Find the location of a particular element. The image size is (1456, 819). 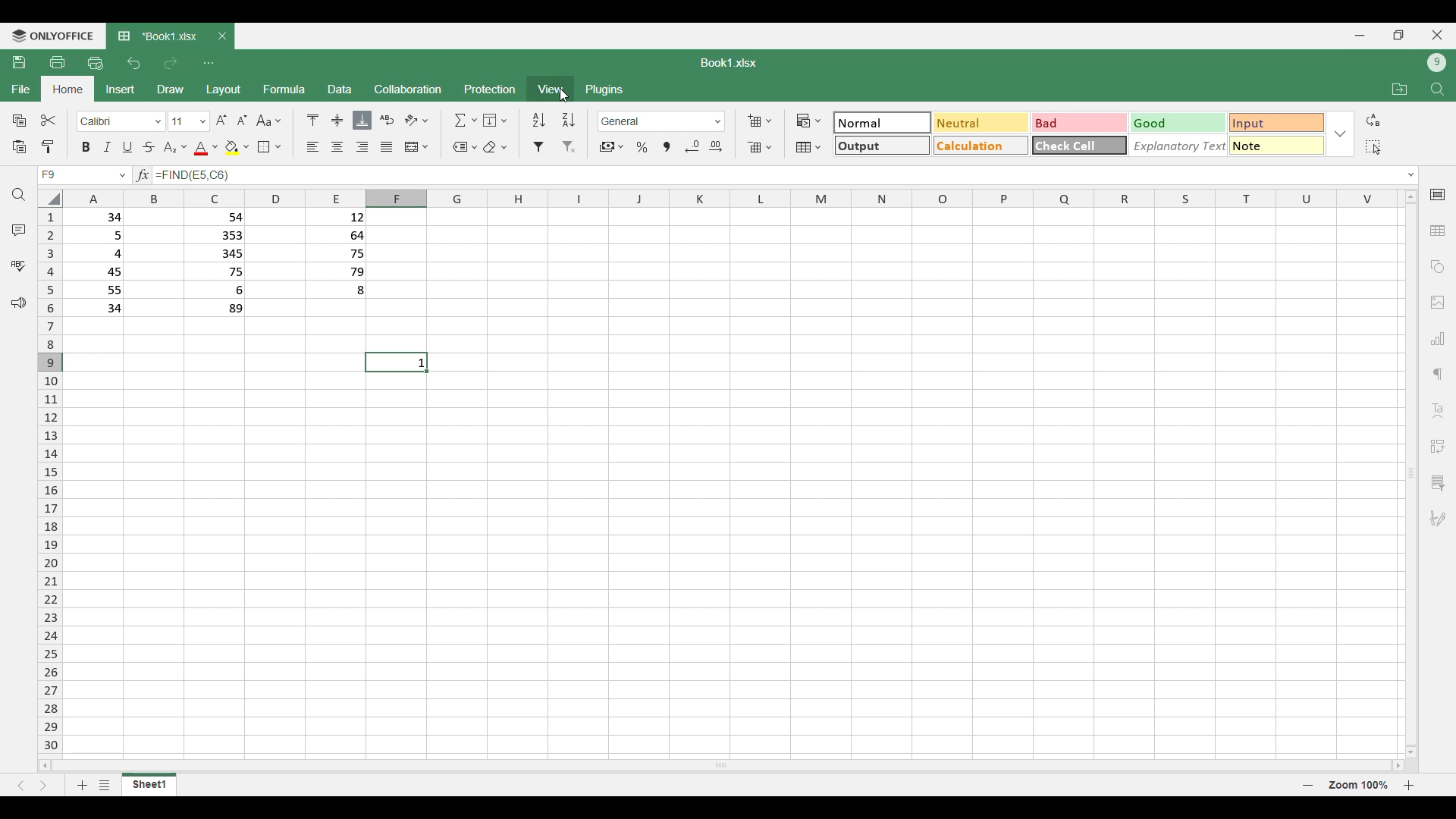

Underline is located at coordinates (127, 147).